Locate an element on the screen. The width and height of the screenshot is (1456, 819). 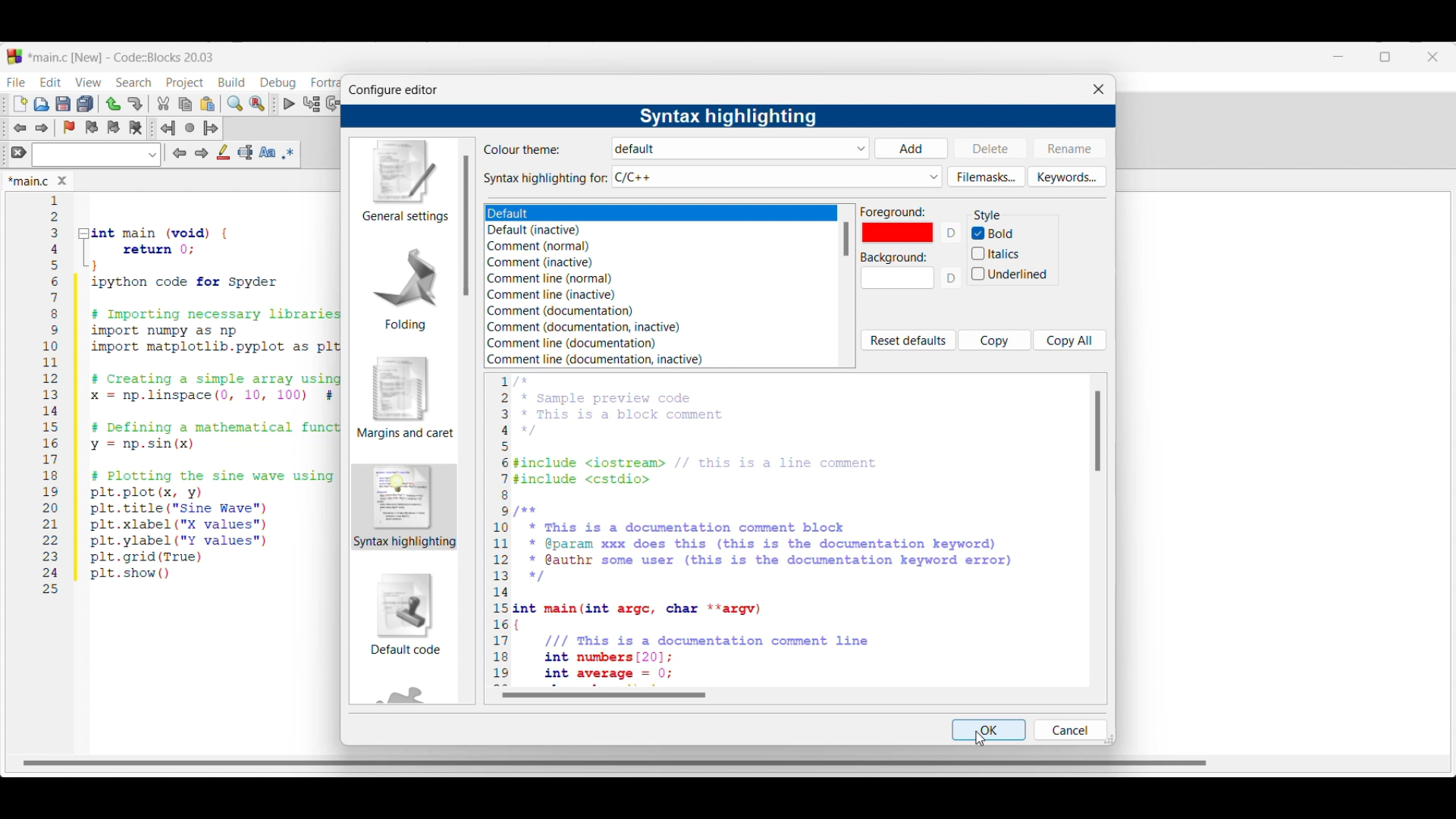
Previous is located at coordinates (180, 153).